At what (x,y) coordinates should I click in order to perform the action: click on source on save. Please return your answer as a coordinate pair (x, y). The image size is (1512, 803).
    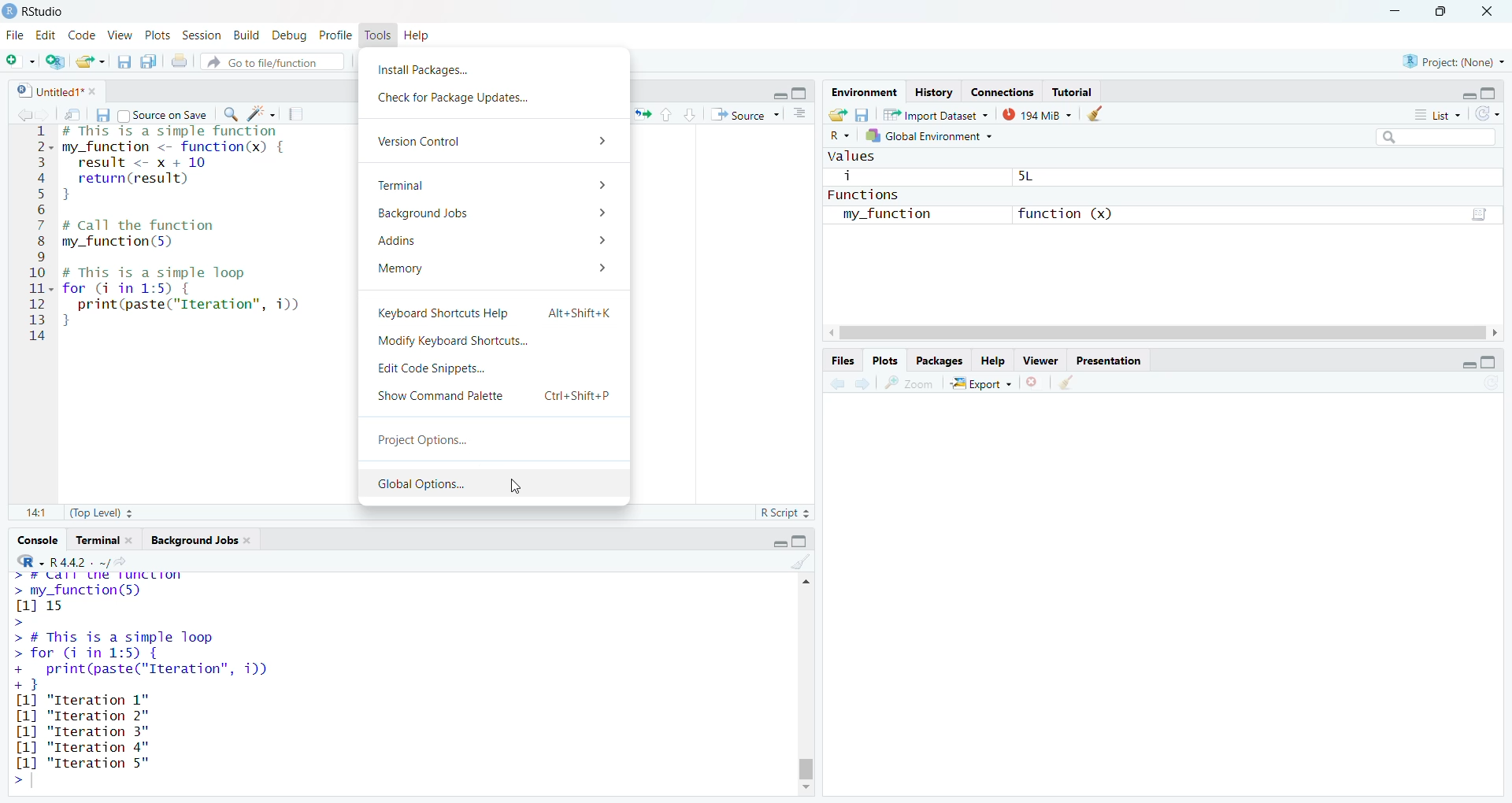
    Looking at the image, I should click on (163, 113).